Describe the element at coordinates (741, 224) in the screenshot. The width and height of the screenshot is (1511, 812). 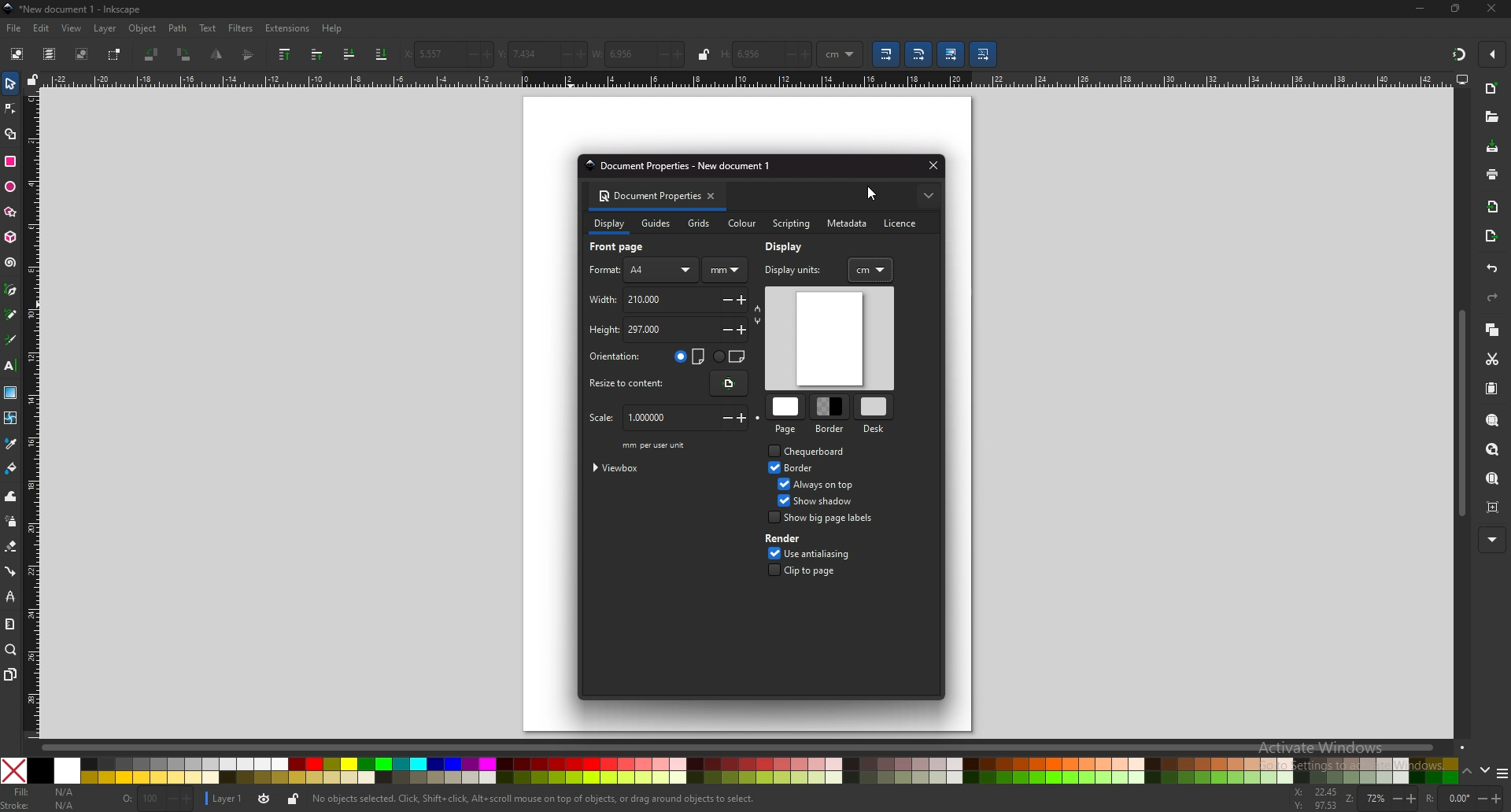
I see `colour` at that location.